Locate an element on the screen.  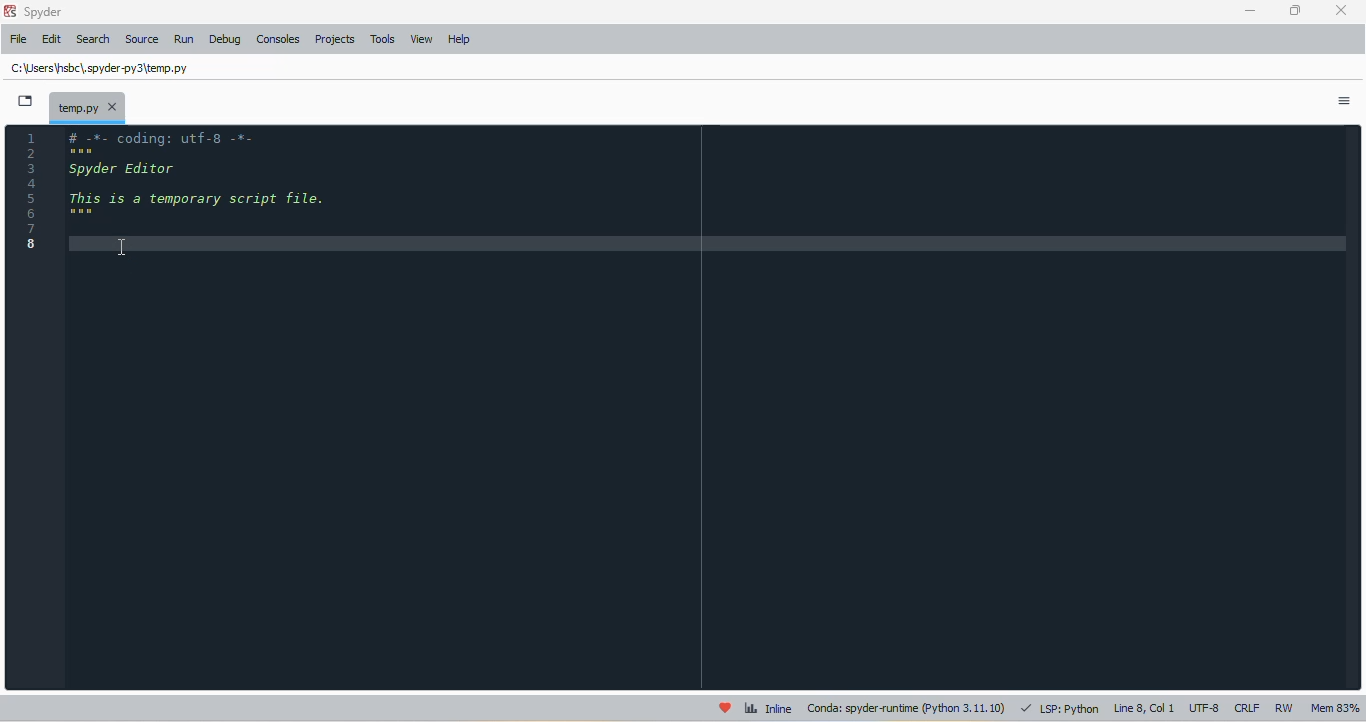
consoles is located at coordinates (278, 39).